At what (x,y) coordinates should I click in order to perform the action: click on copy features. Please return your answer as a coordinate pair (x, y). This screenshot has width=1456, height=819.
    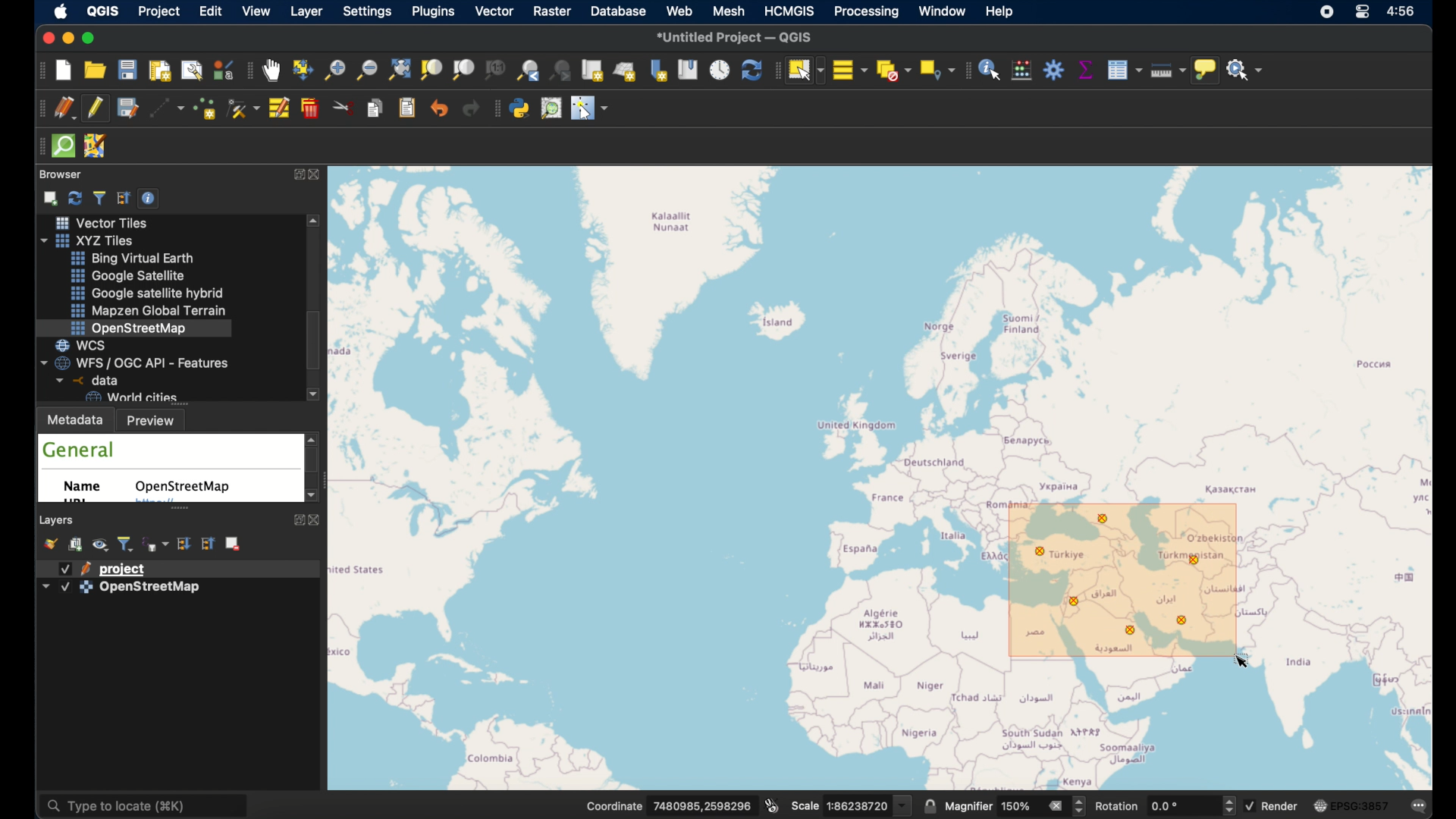
    Looking at the image, I should click on (377, 110).